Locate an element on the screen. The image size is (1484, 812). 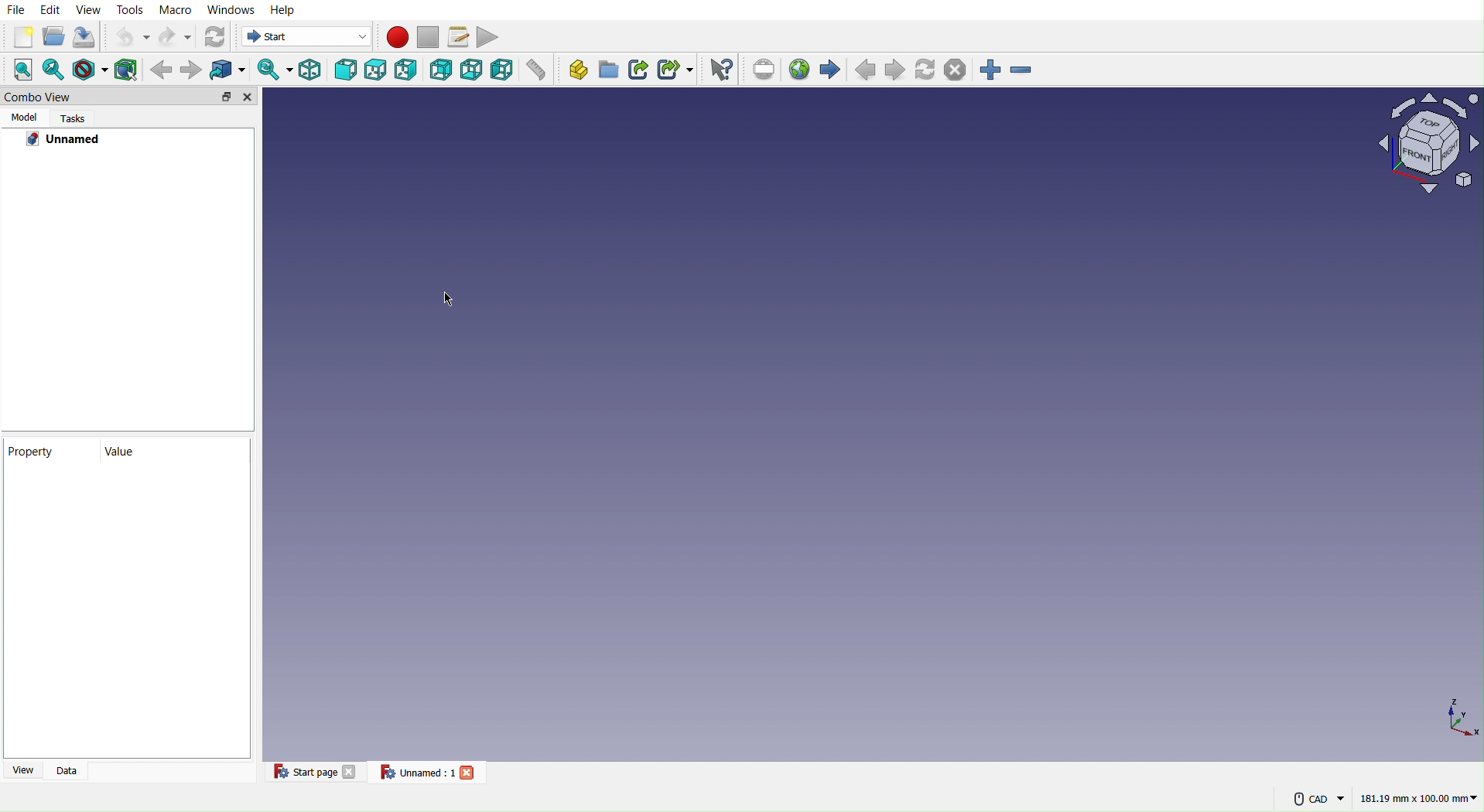
View is located at coordinates (20, 772).